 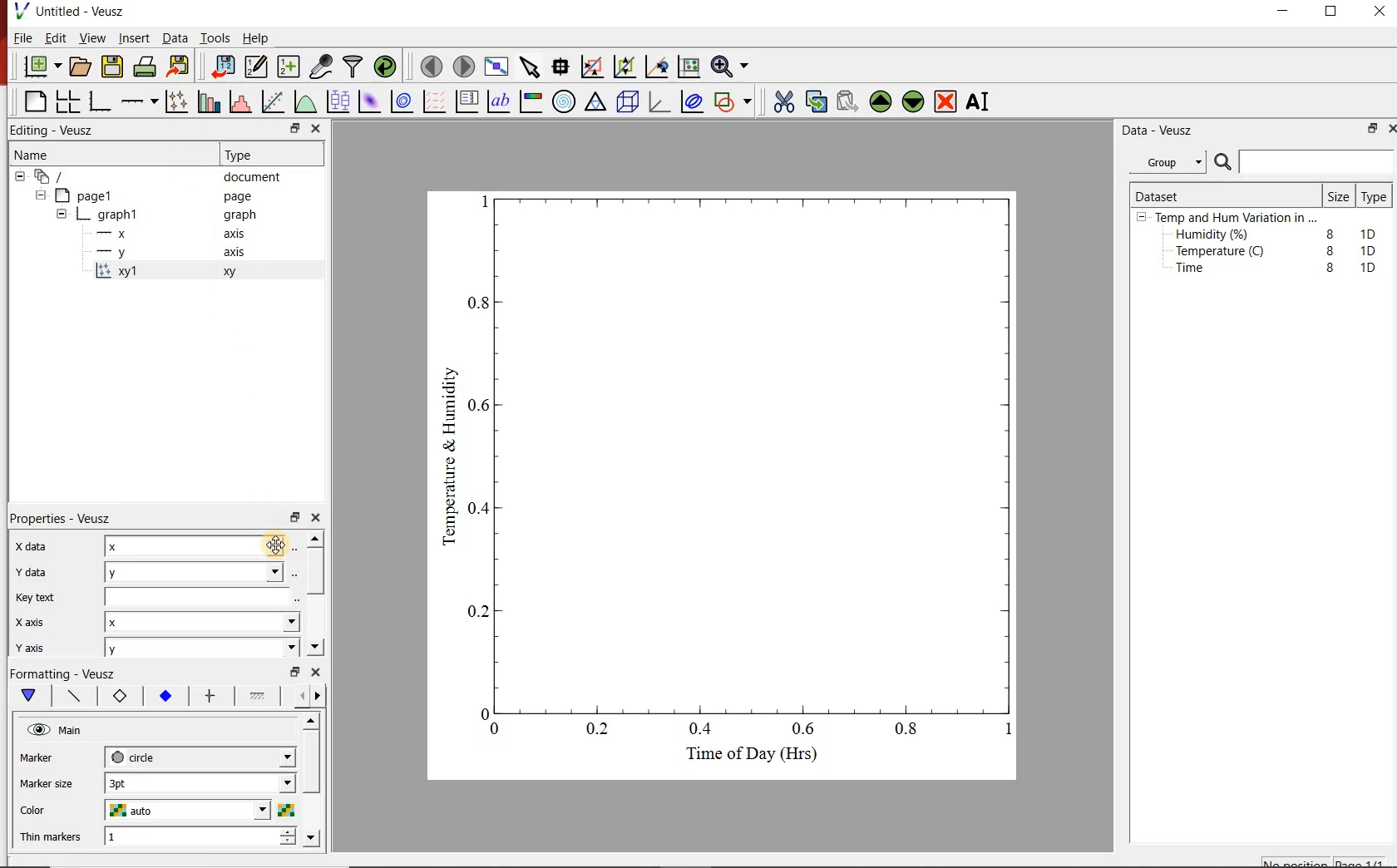 I want to click on text label, so click(x=502, y=101).